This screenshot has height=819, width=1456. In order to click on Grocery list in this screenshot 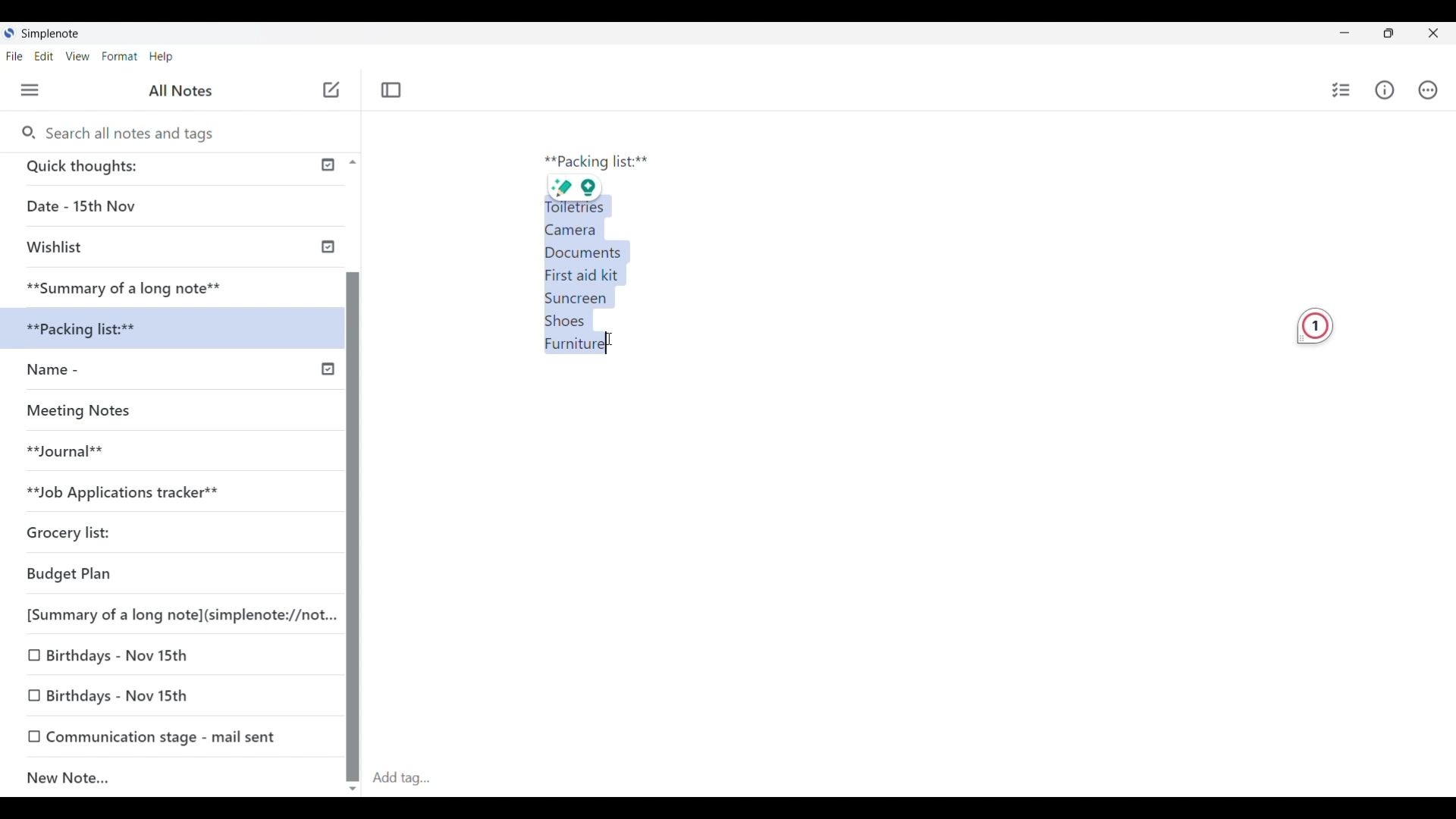, I will do `click(133, 529)`.